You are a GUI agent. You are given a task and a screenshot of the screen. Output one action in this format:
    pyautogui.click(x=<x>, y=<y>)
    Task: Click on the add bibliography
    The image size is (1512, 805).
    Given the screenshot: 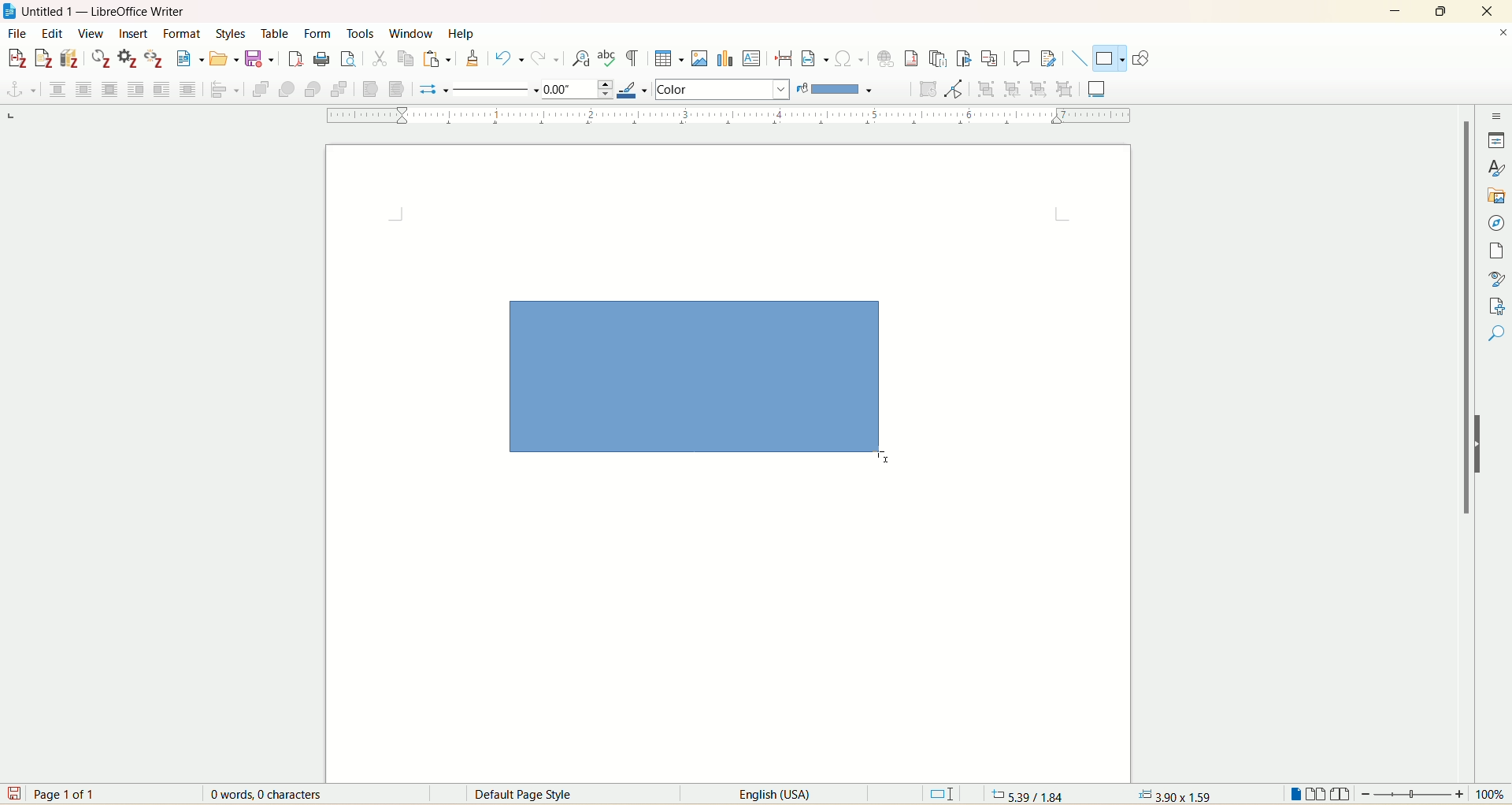 What is the action you would take?
    pyautogui.click(x=71, y=58)
    